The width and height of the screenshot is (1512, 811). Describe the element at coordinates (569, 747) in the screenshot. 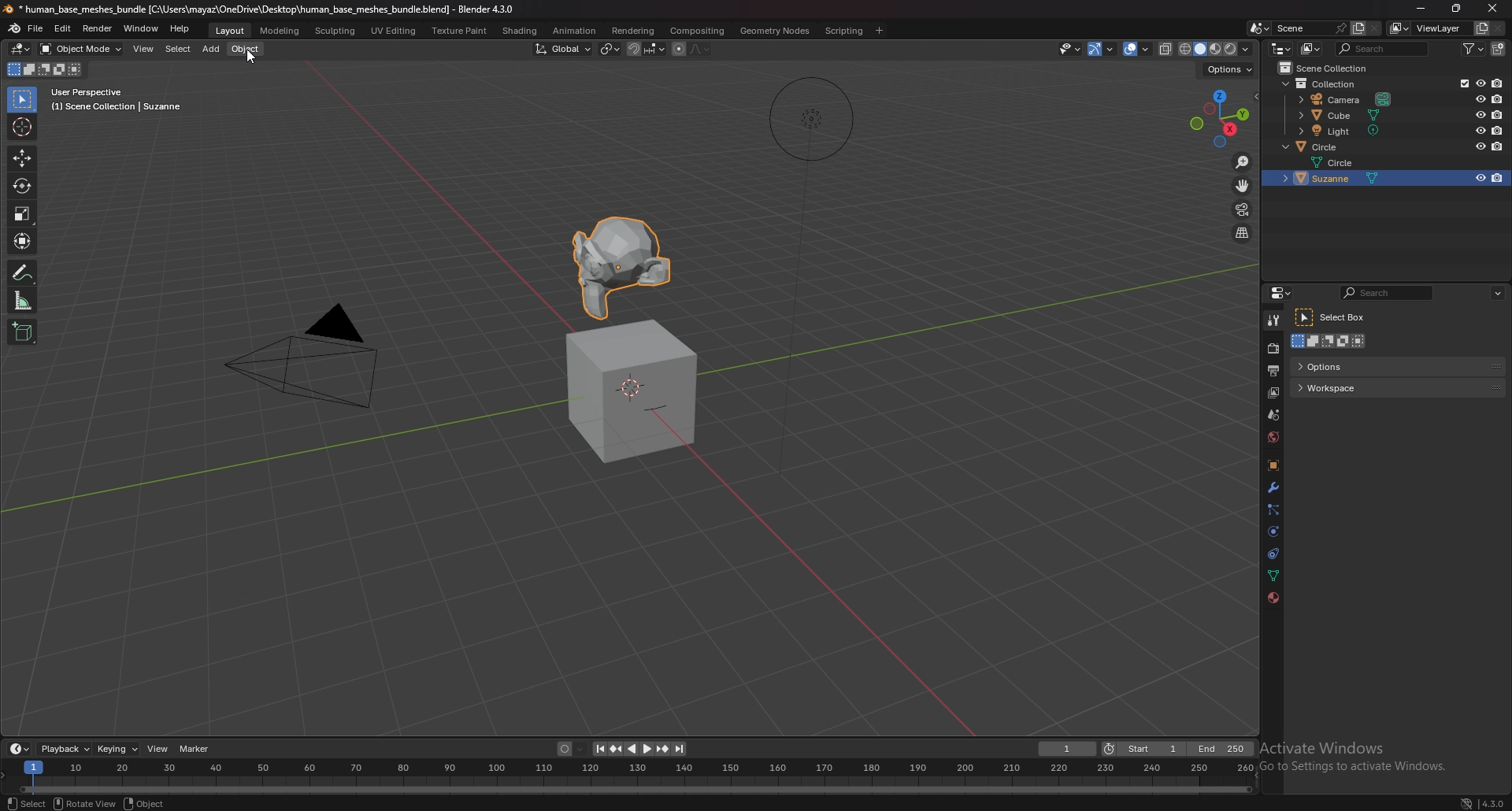

I see `auto keying` at that location.